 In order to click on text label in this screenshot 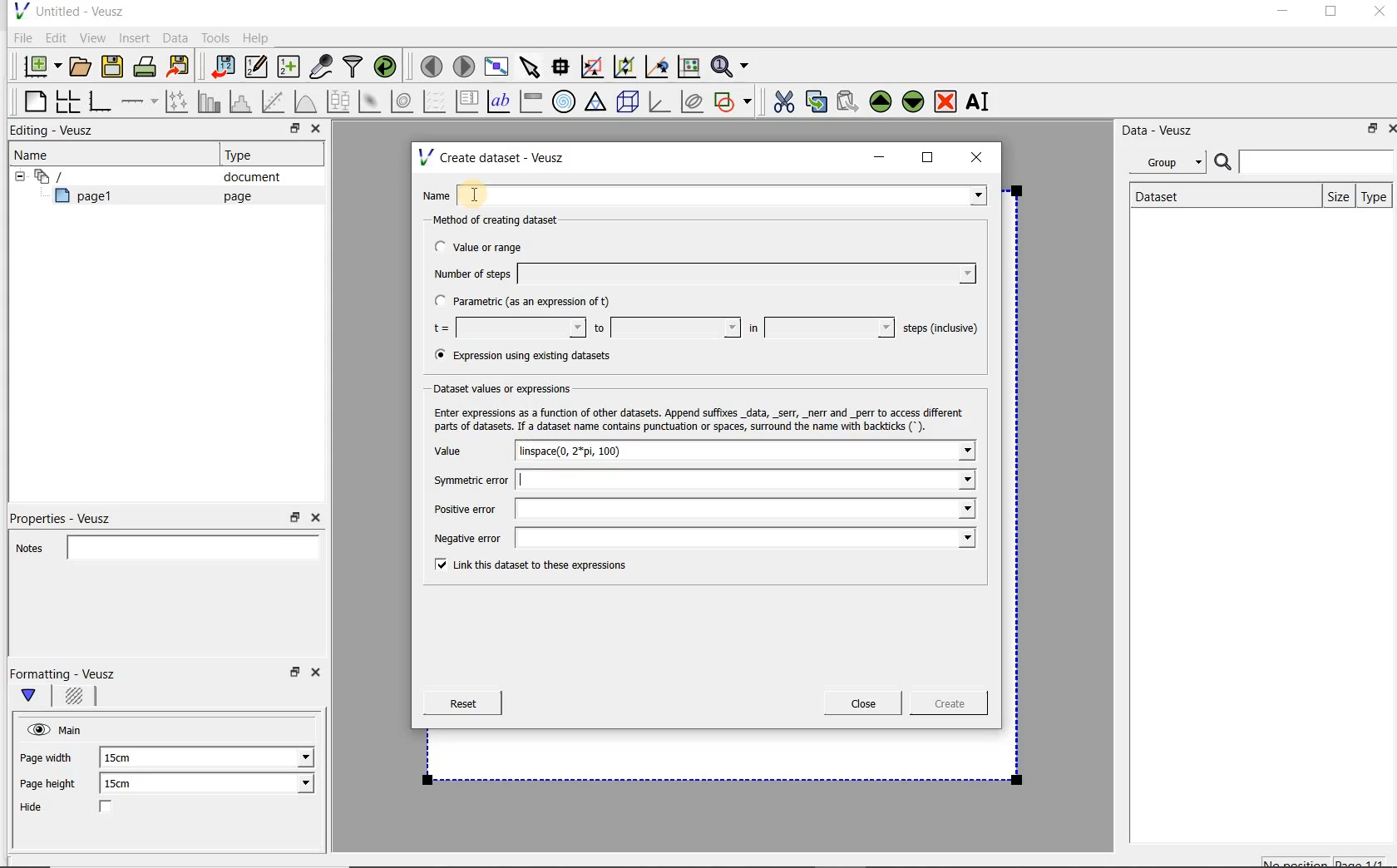, I will do `click(501, 101)`.